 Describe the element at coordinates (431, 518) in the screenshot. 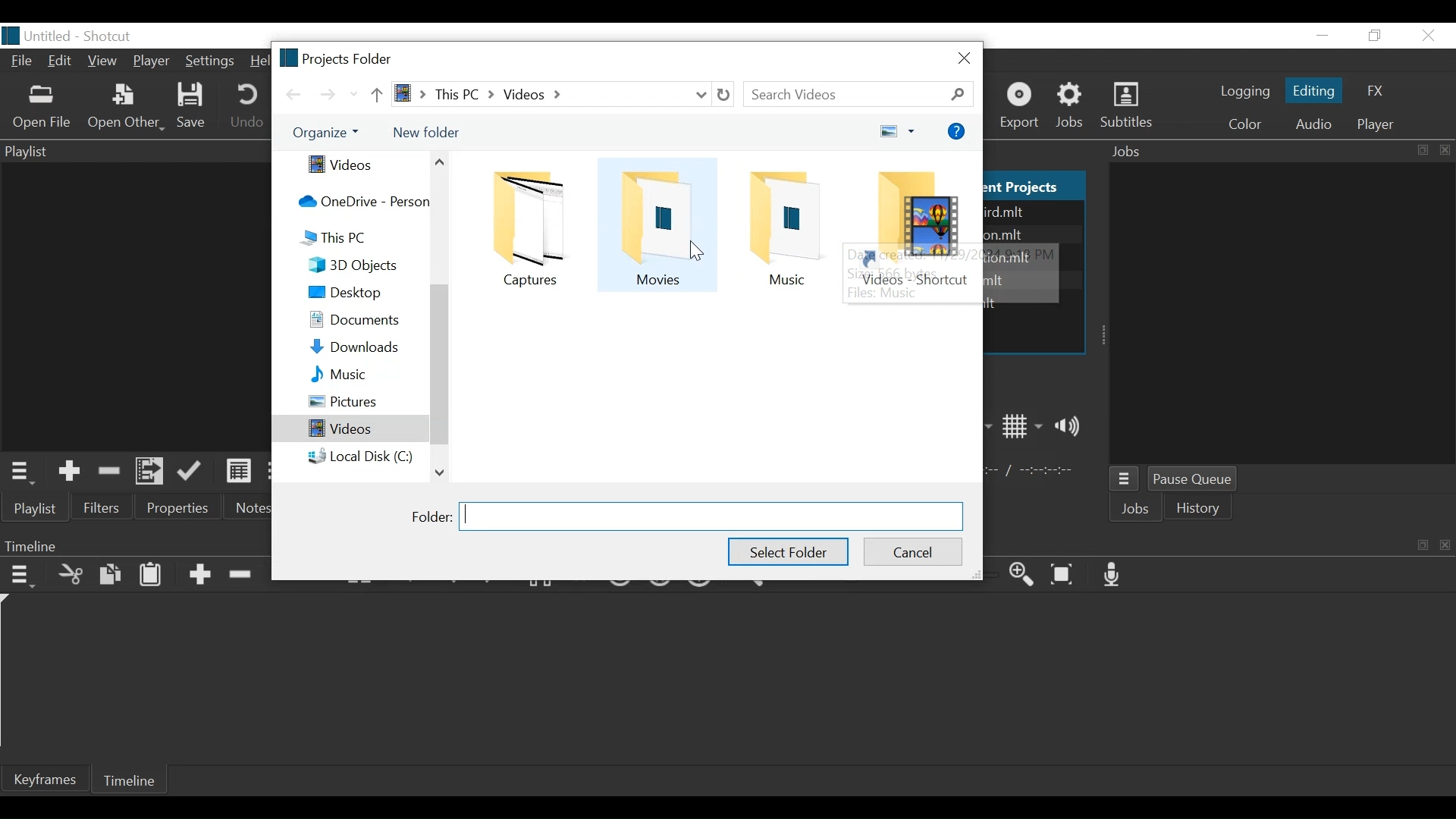

I see `Folder` at that location.